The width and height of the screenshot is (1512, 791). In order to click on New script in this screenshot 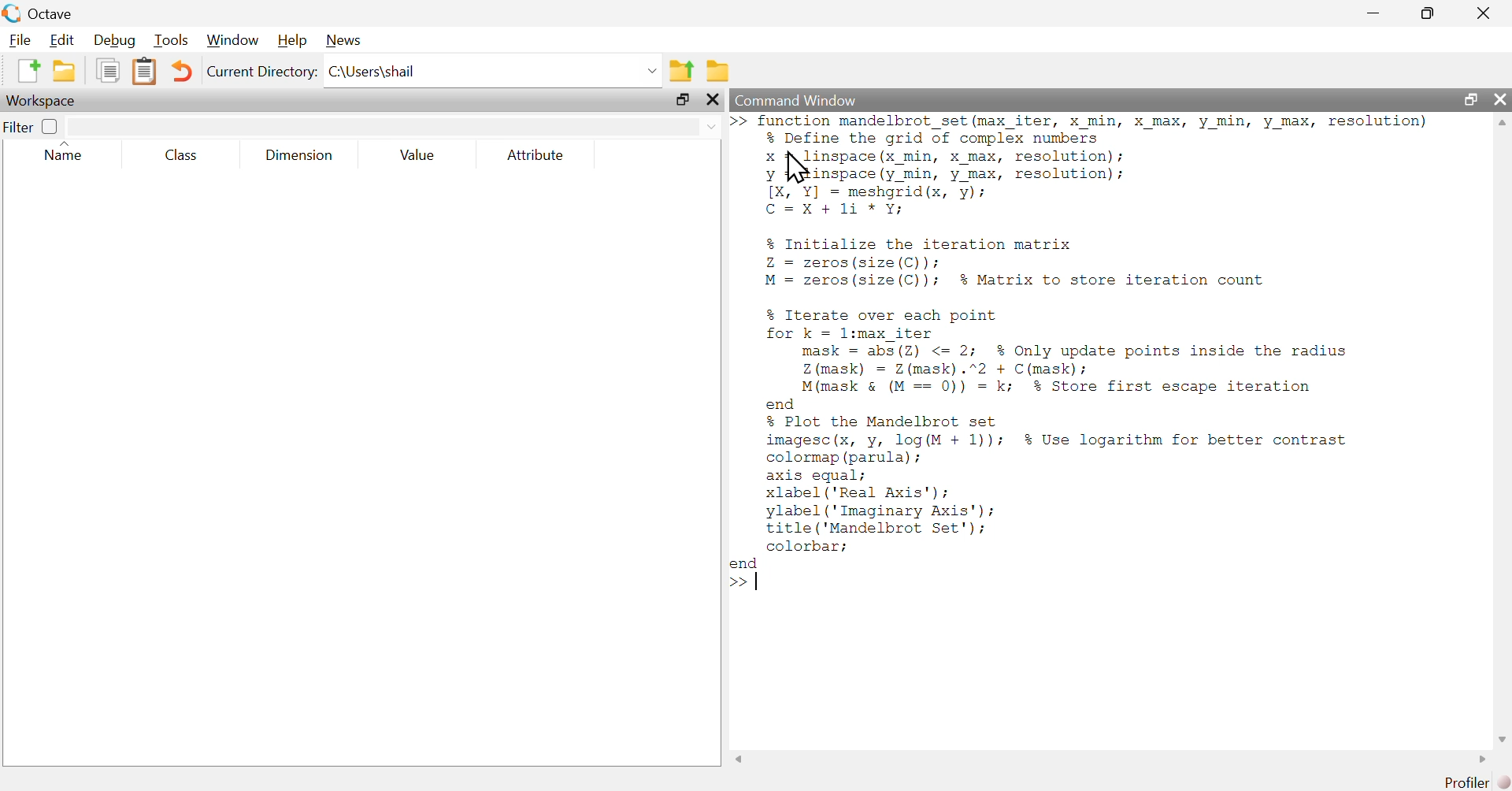, I will do `click(28, 71)`.